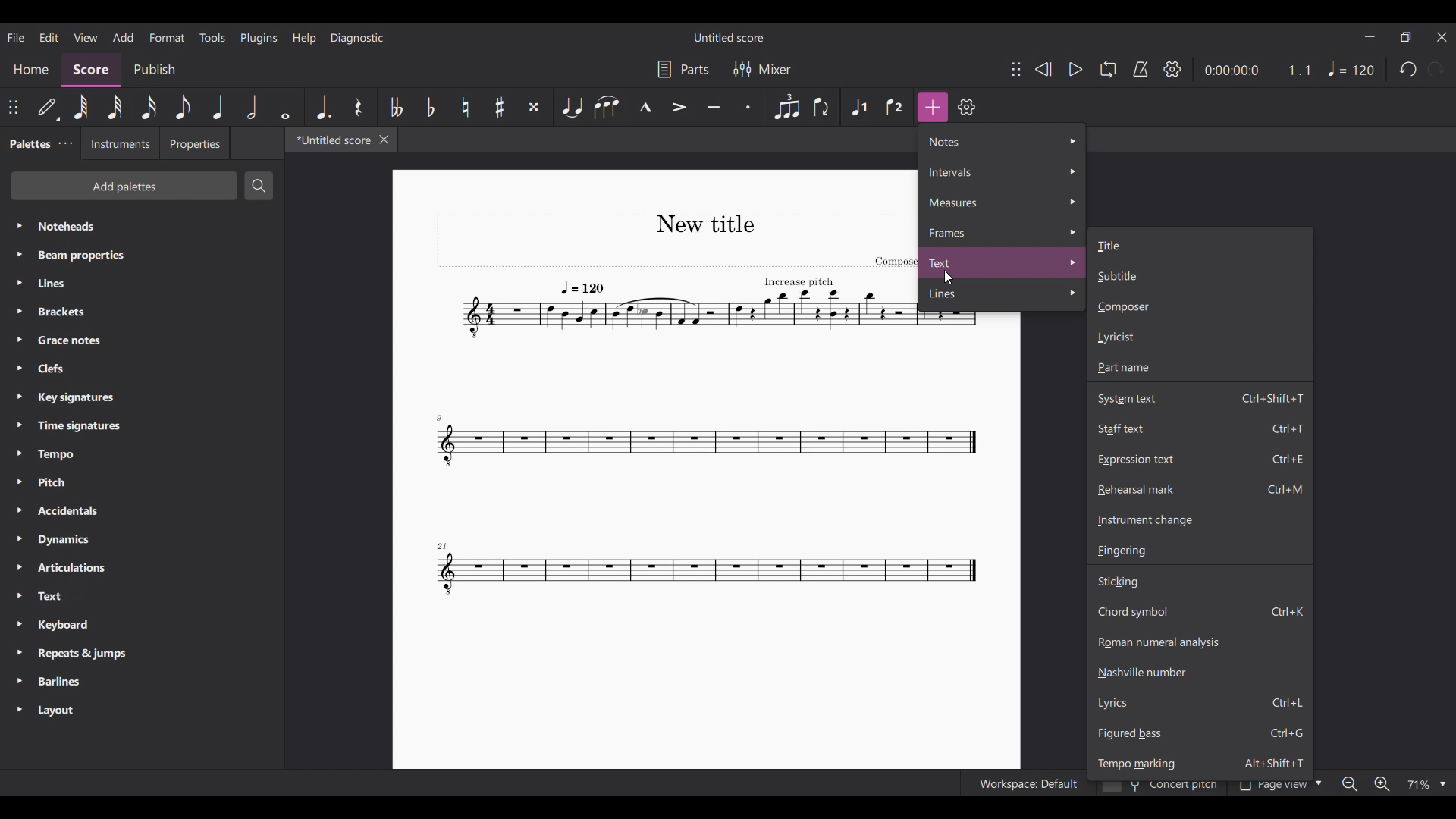 This screenshot has height=819, width=1456. What do you see at coordinates (645, 108) in the screenshot?
I see `Marcato` at bounding box center [645, 108].